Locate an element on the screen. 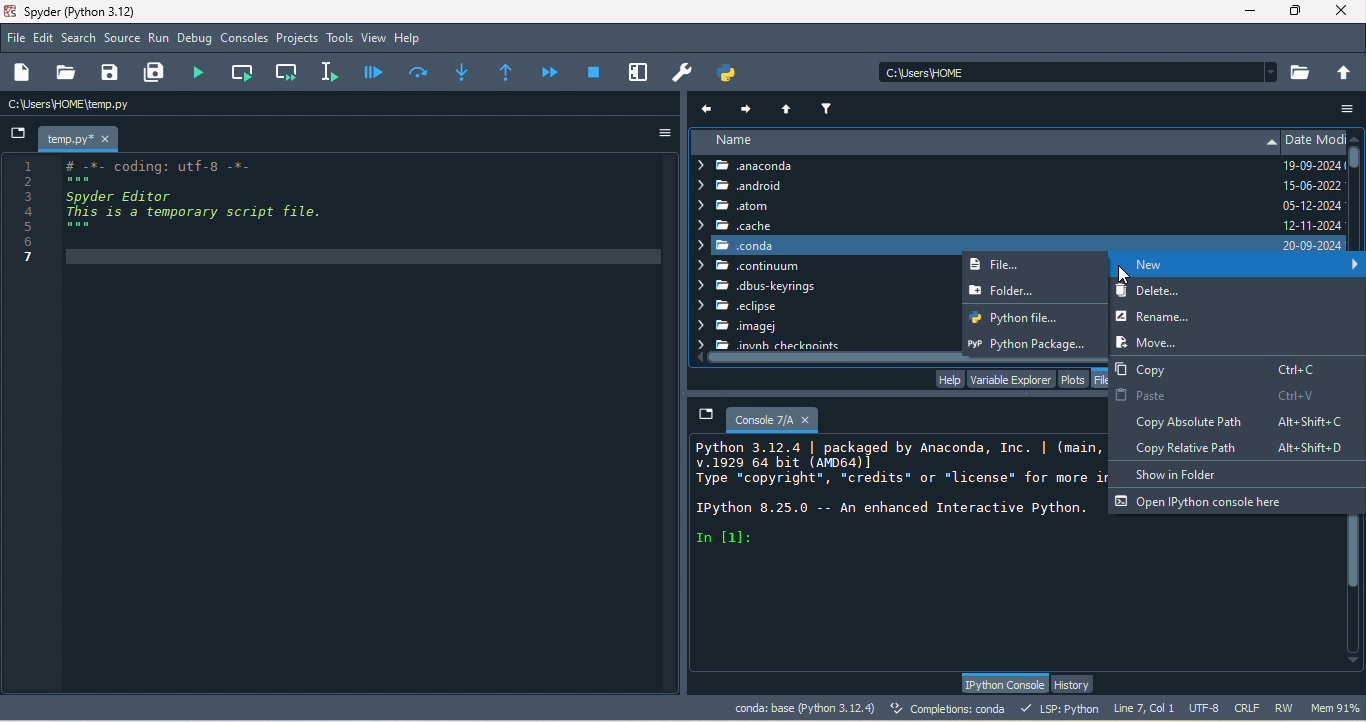  new is located at coordinates (25, 73).